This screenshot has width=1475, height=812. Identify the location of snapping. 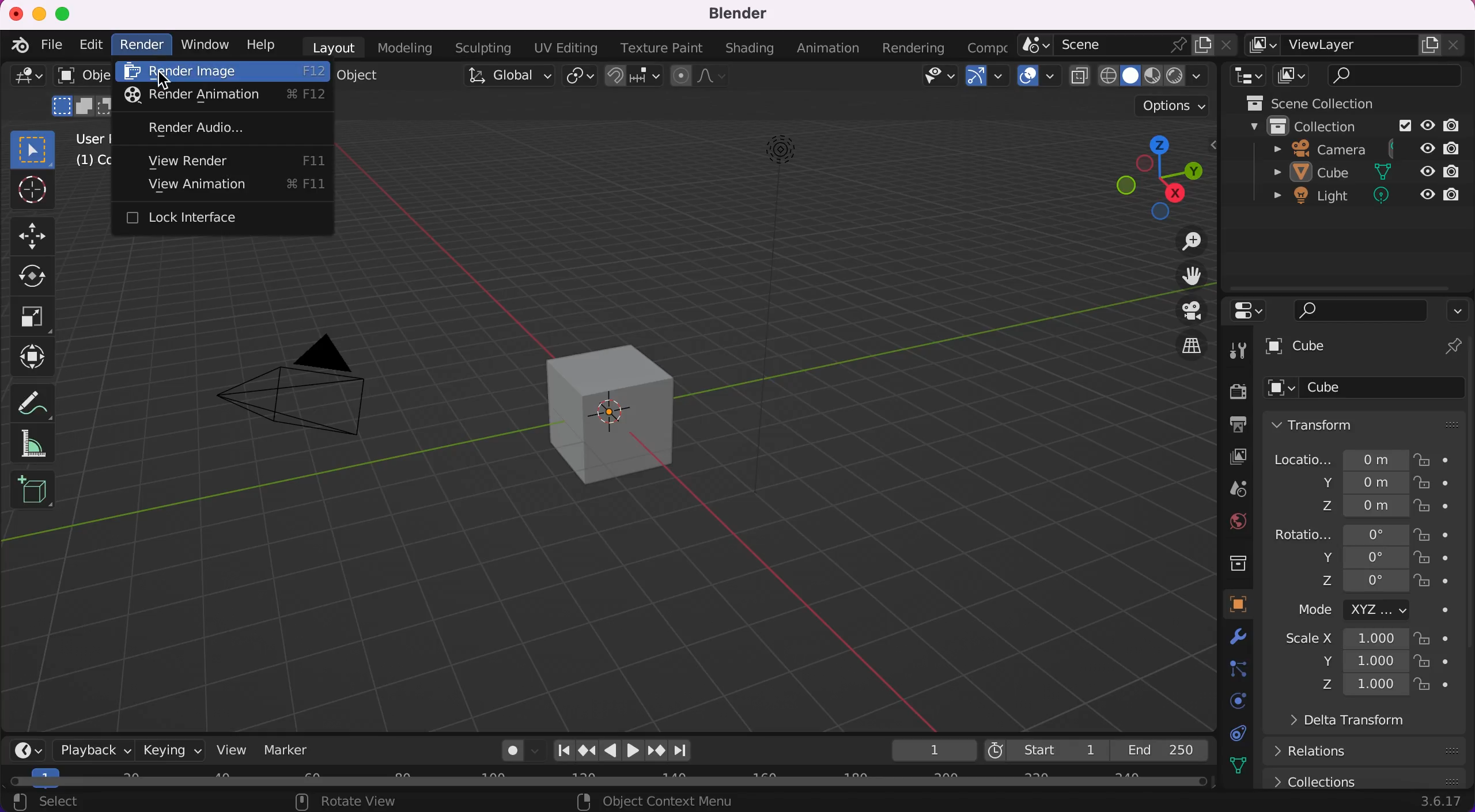
(631, 77).